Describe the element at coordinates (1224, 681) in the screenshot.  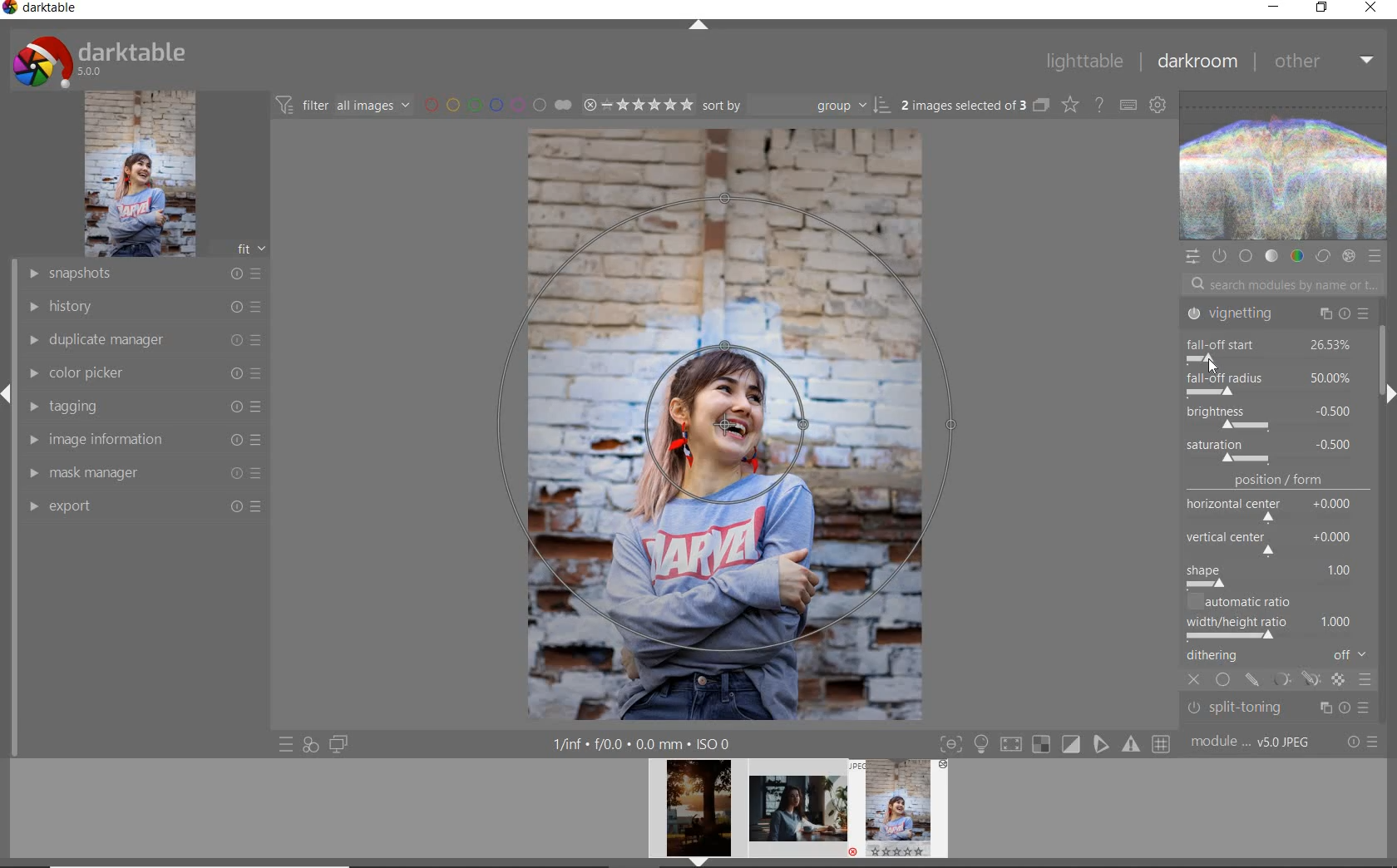
I see `uniformly` at that location.